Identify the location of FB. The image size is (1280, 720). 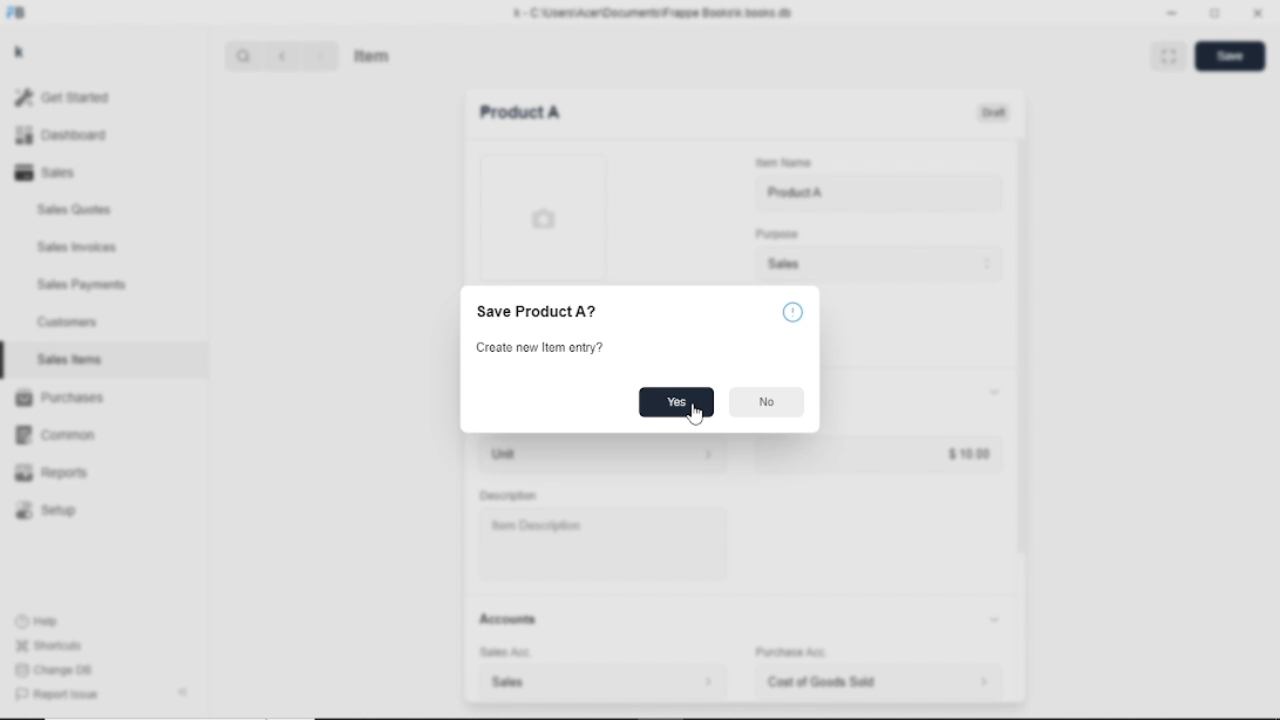
(18, 14).